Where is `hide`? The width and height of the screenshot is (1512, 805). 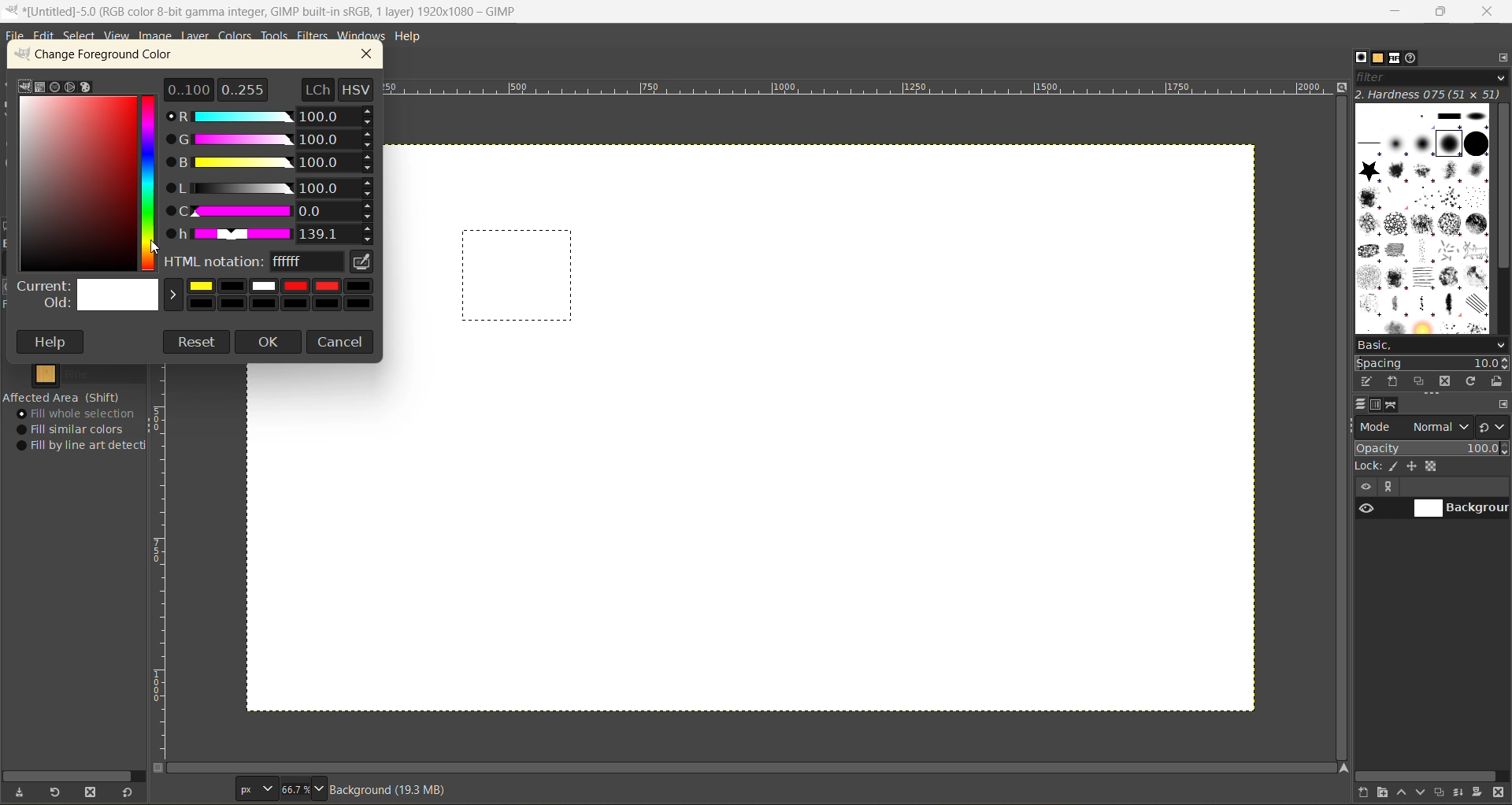 hide is located at coordinates (1365, 488).